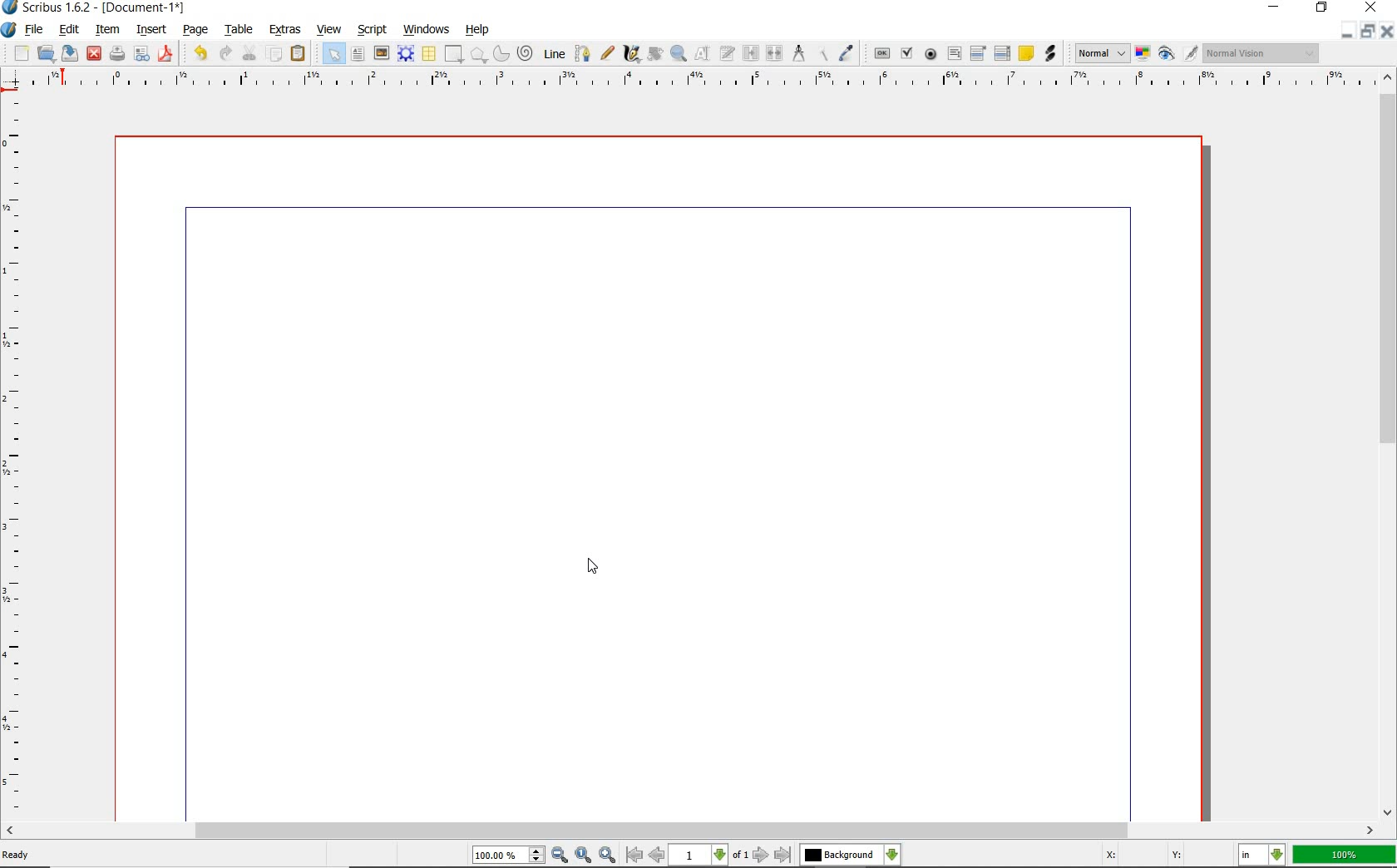  What do you see at coordinates (380, 52) in the screenshot?
I see `image frame` at bounding box center [380, 52].